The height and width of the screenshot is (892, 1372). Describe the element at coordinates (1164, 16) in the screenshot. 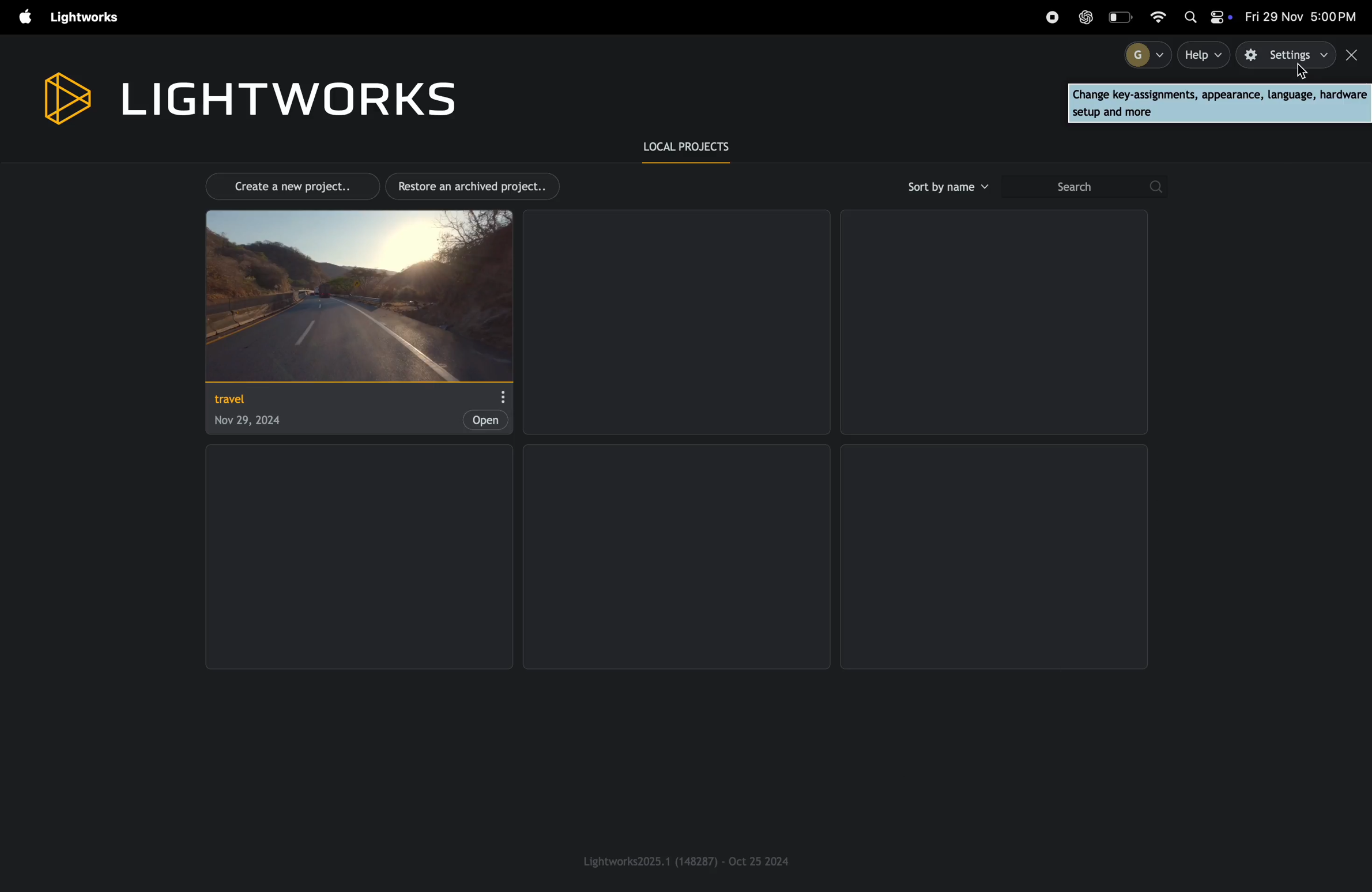

I see `wifi` at that location.